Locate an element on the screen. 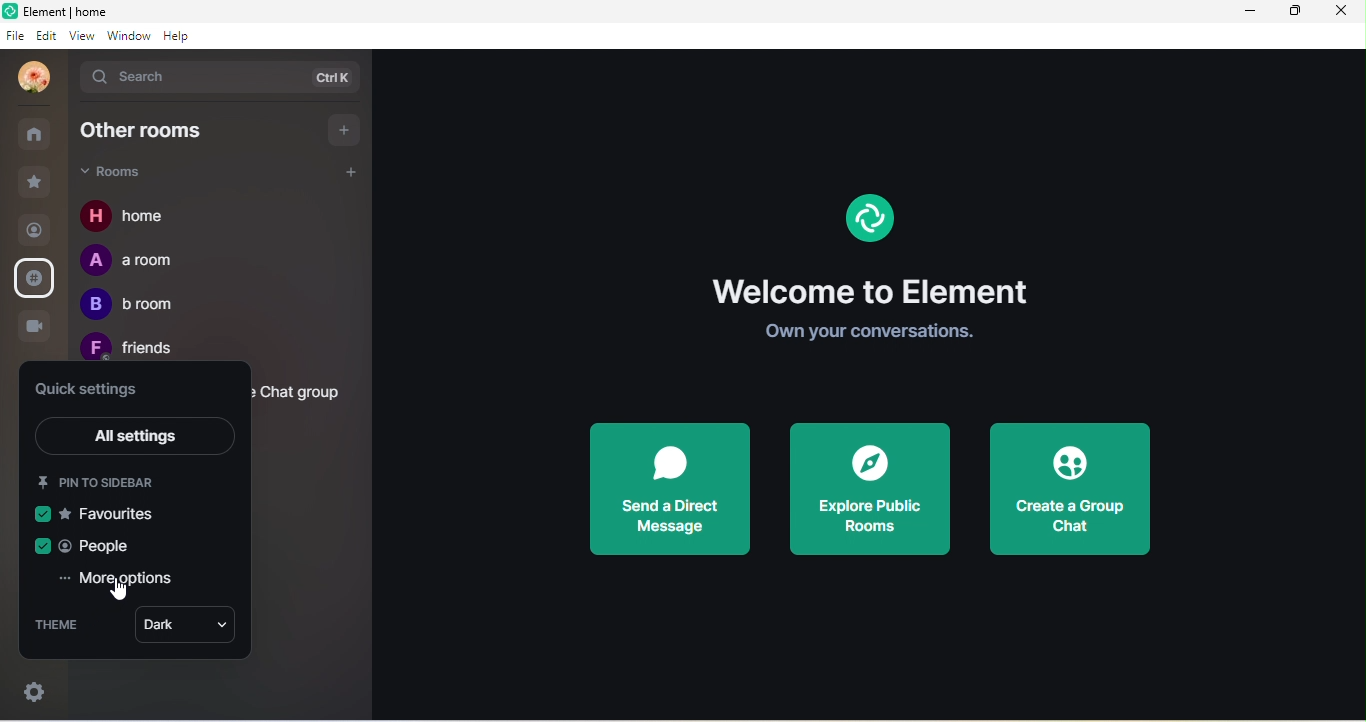 This screenshot has height=722, width=1366. favourites is located at coordinates (36, 180).